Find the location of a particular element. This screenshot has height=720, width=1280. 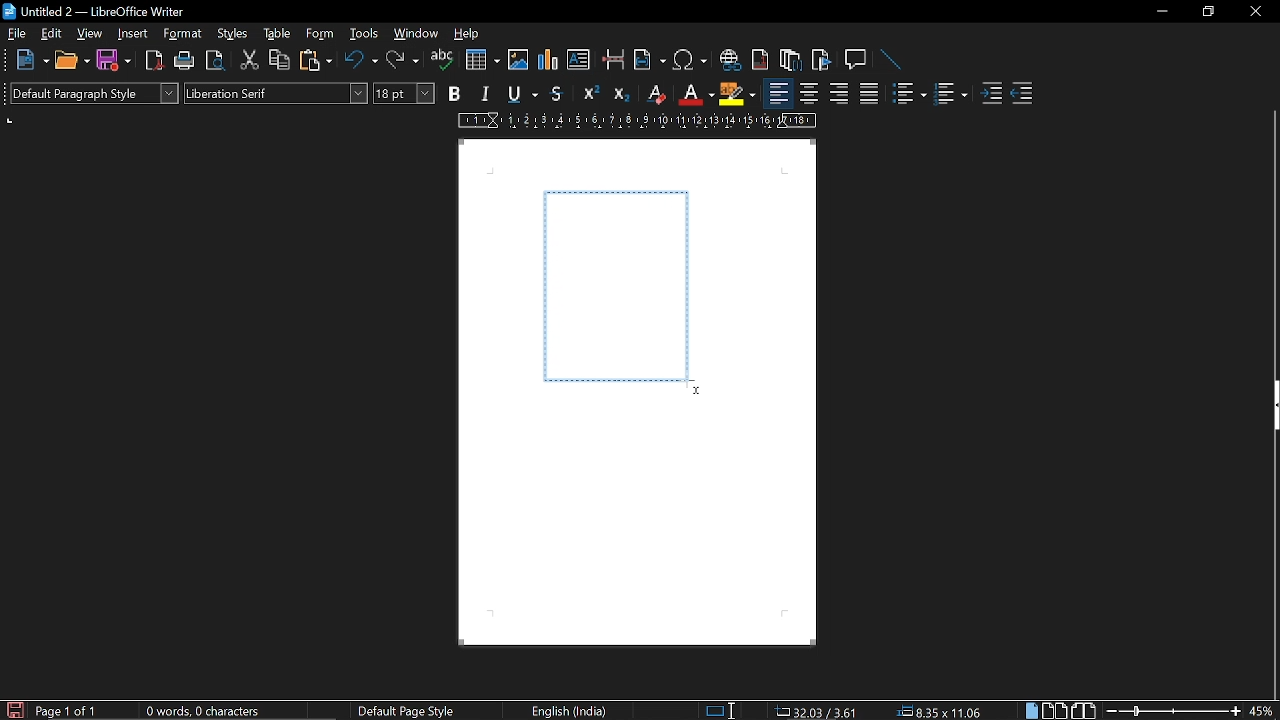

insert endnote is located at coordinates (789, 62).